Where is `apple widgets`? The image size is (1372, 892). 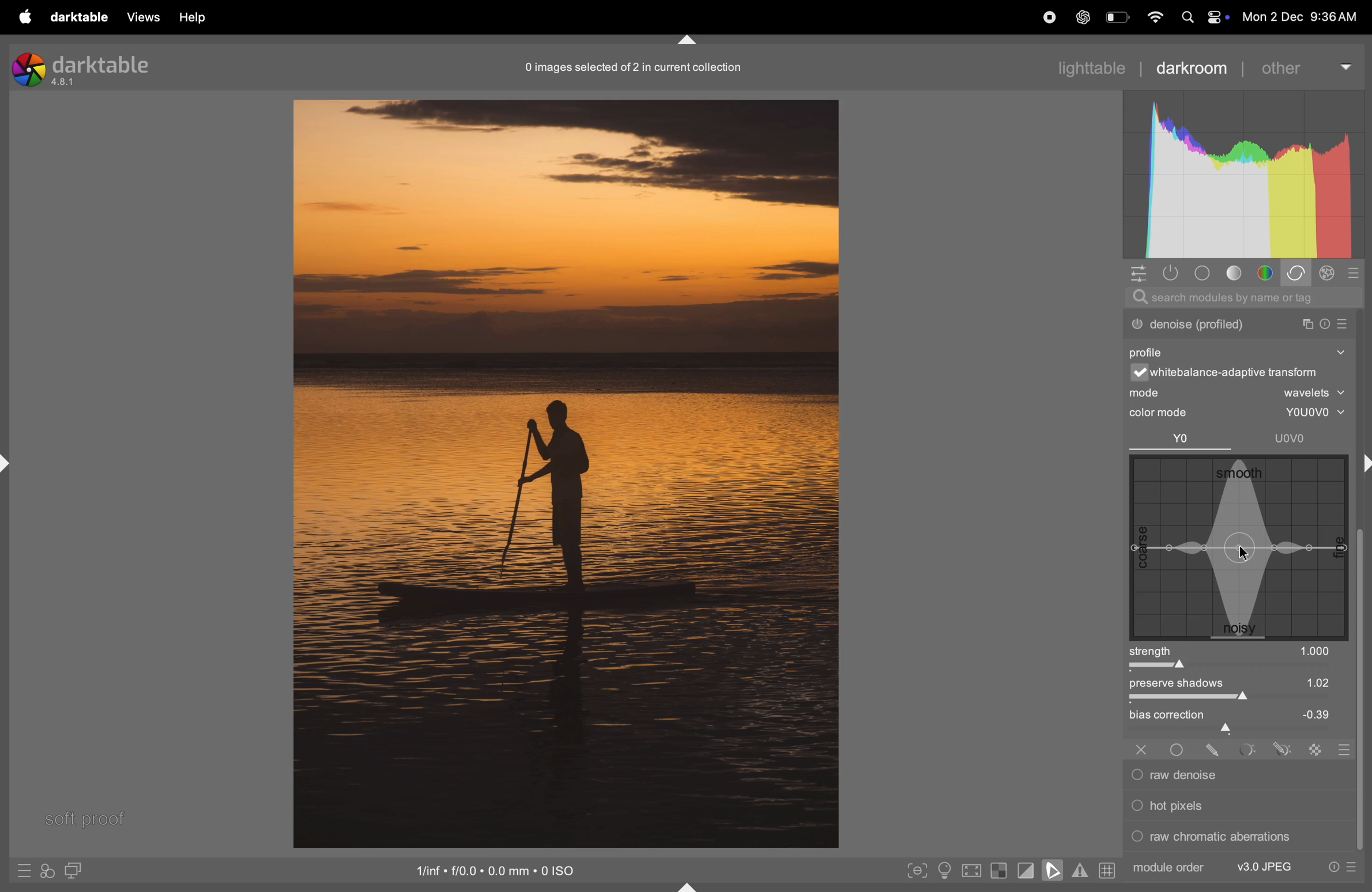 apple widgets is located at coordinates (1201, 17).